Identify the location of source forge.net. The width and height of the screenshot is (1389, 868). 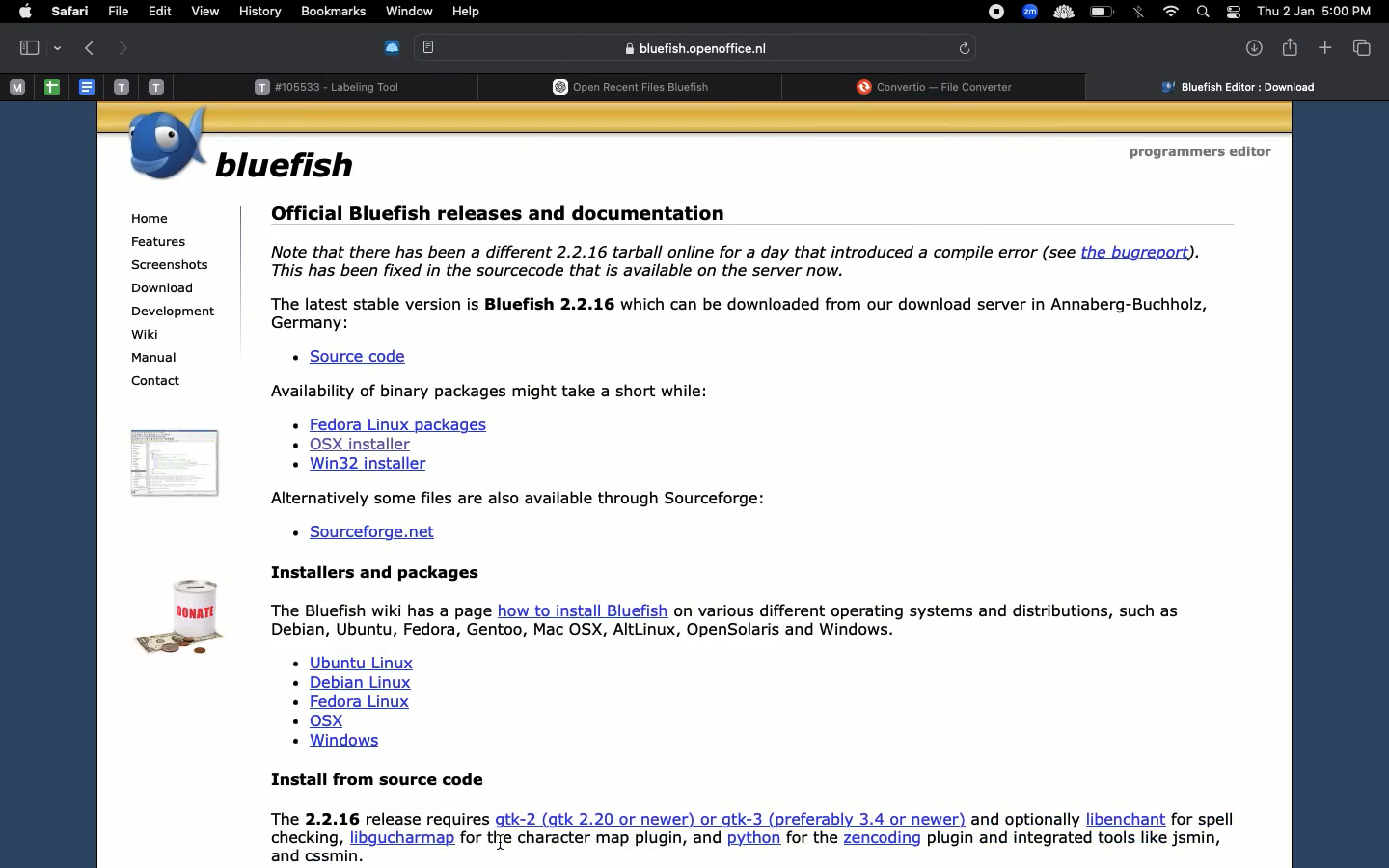
(374, 534).